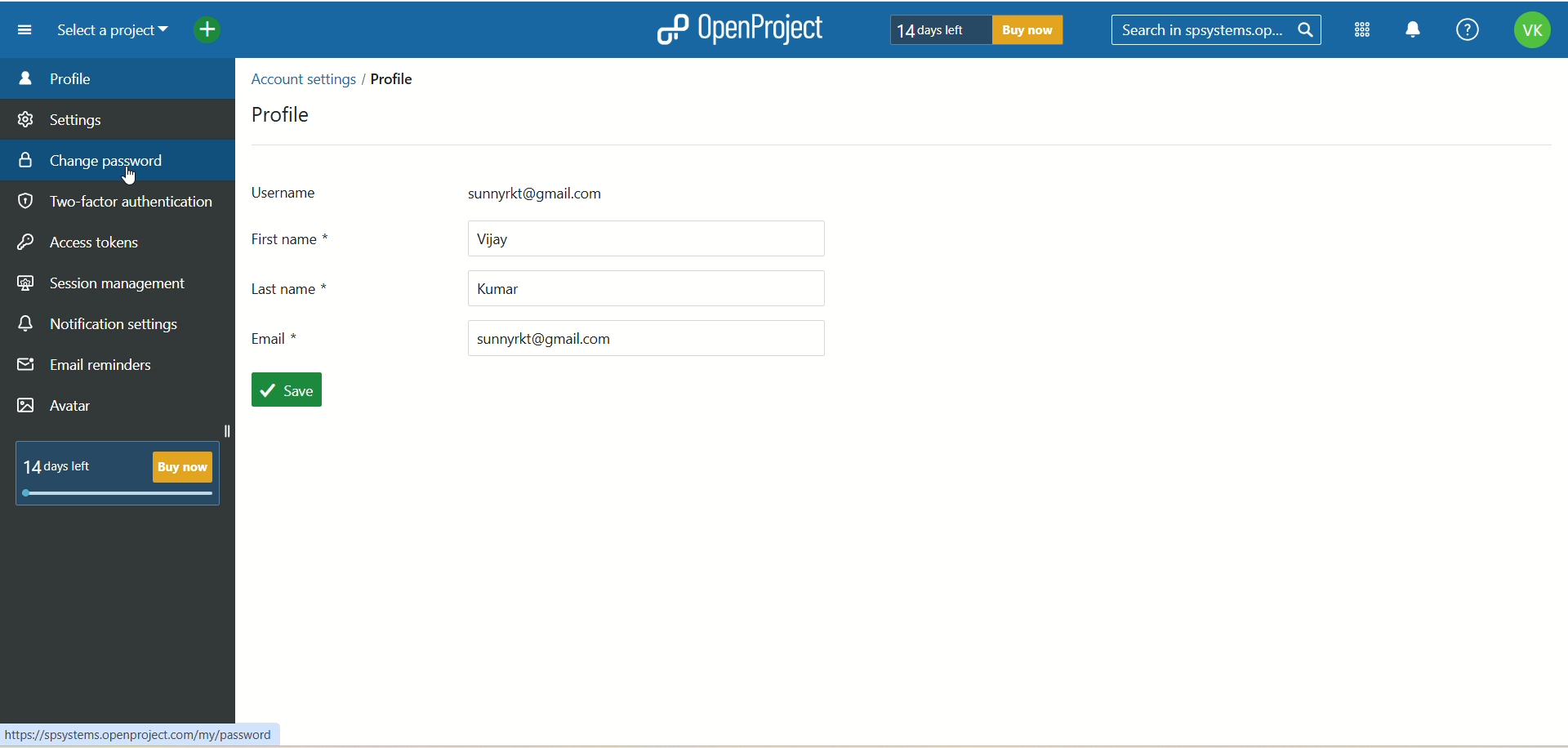  Describe the element at coordinates (548, 341) in the screenshot. I see `email` at that location.